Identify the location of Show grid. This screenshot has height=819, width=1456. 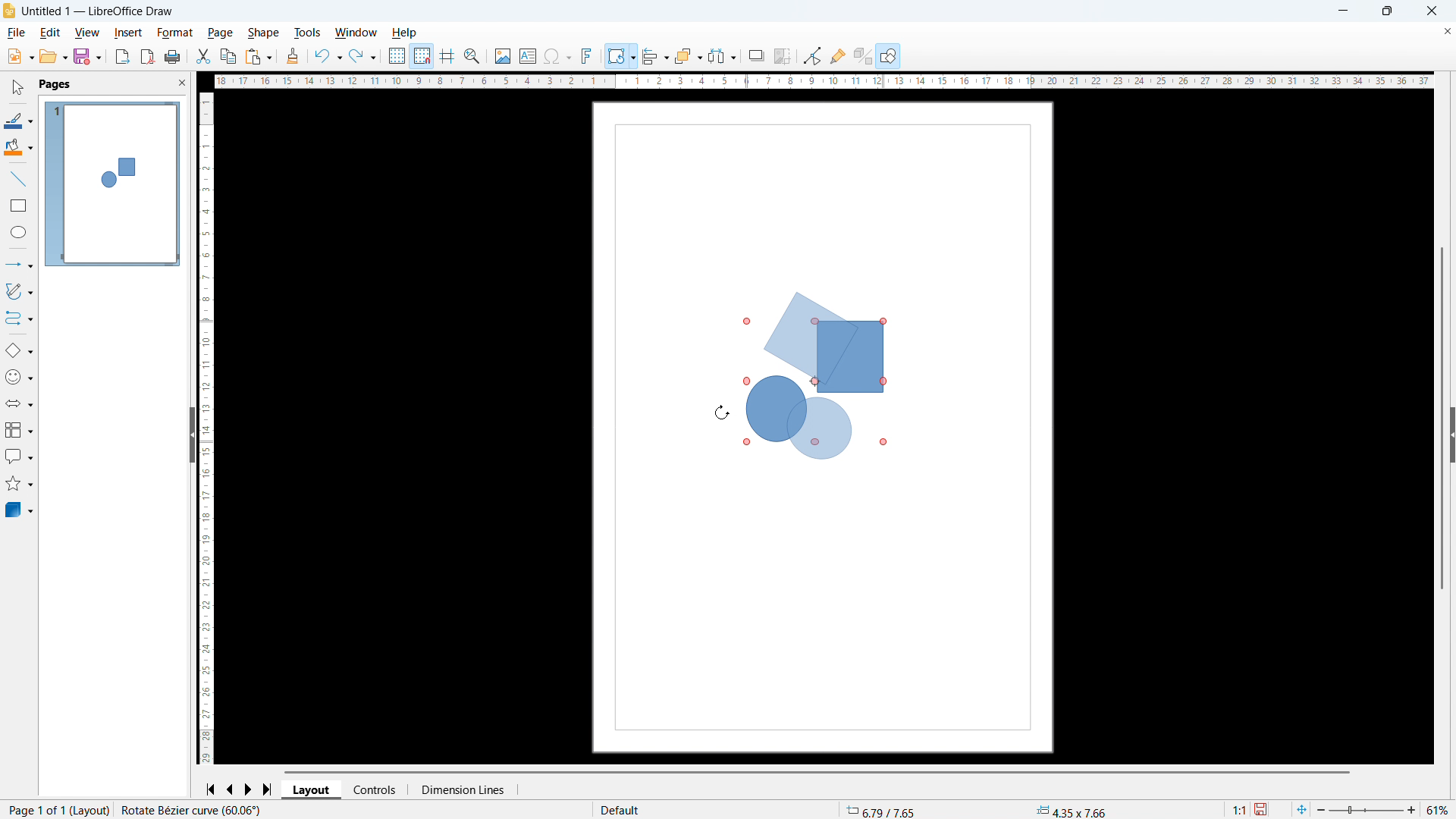
(397, 55).